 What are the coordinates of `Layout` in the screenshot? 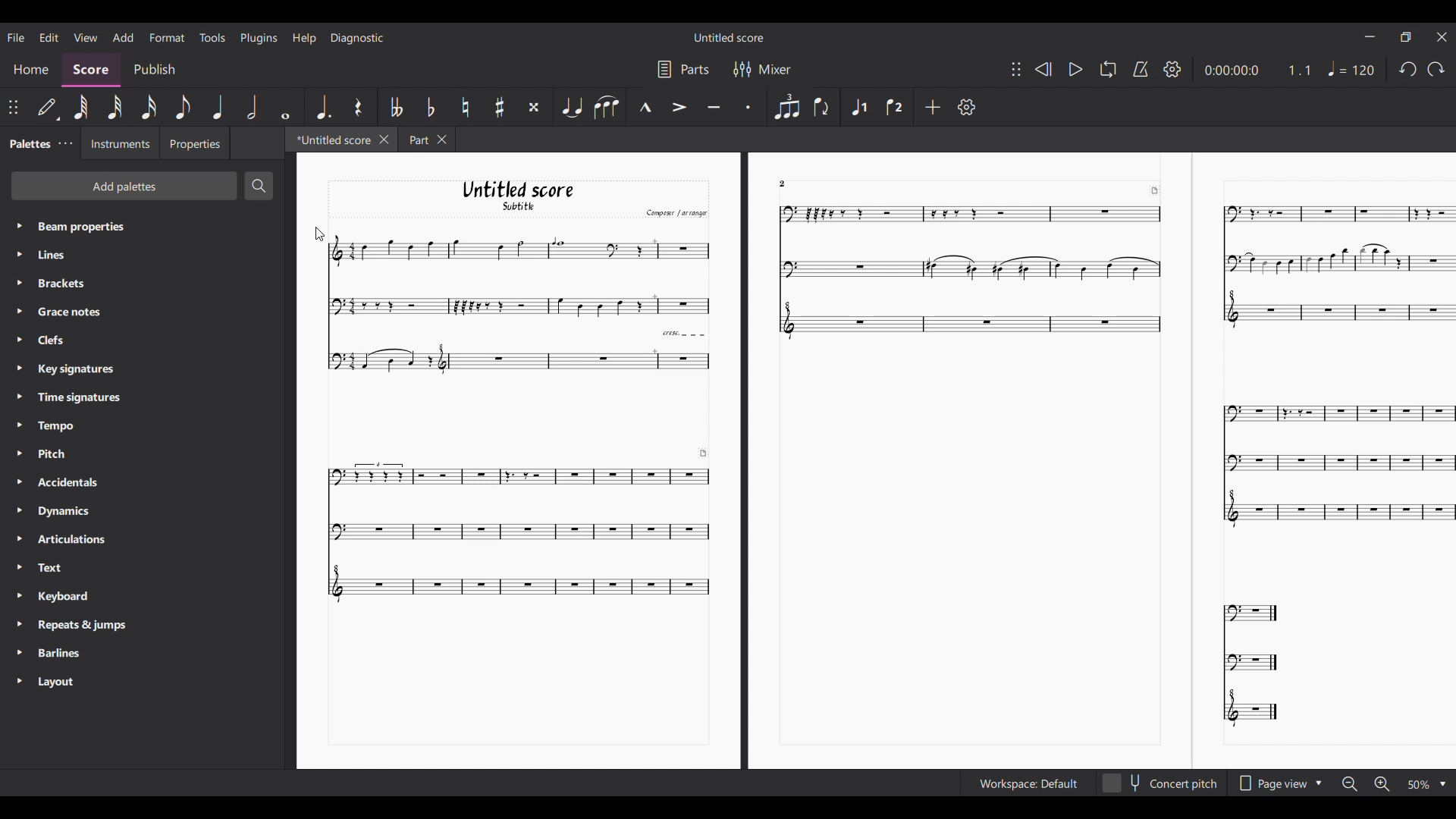 It's located at (61, 682).